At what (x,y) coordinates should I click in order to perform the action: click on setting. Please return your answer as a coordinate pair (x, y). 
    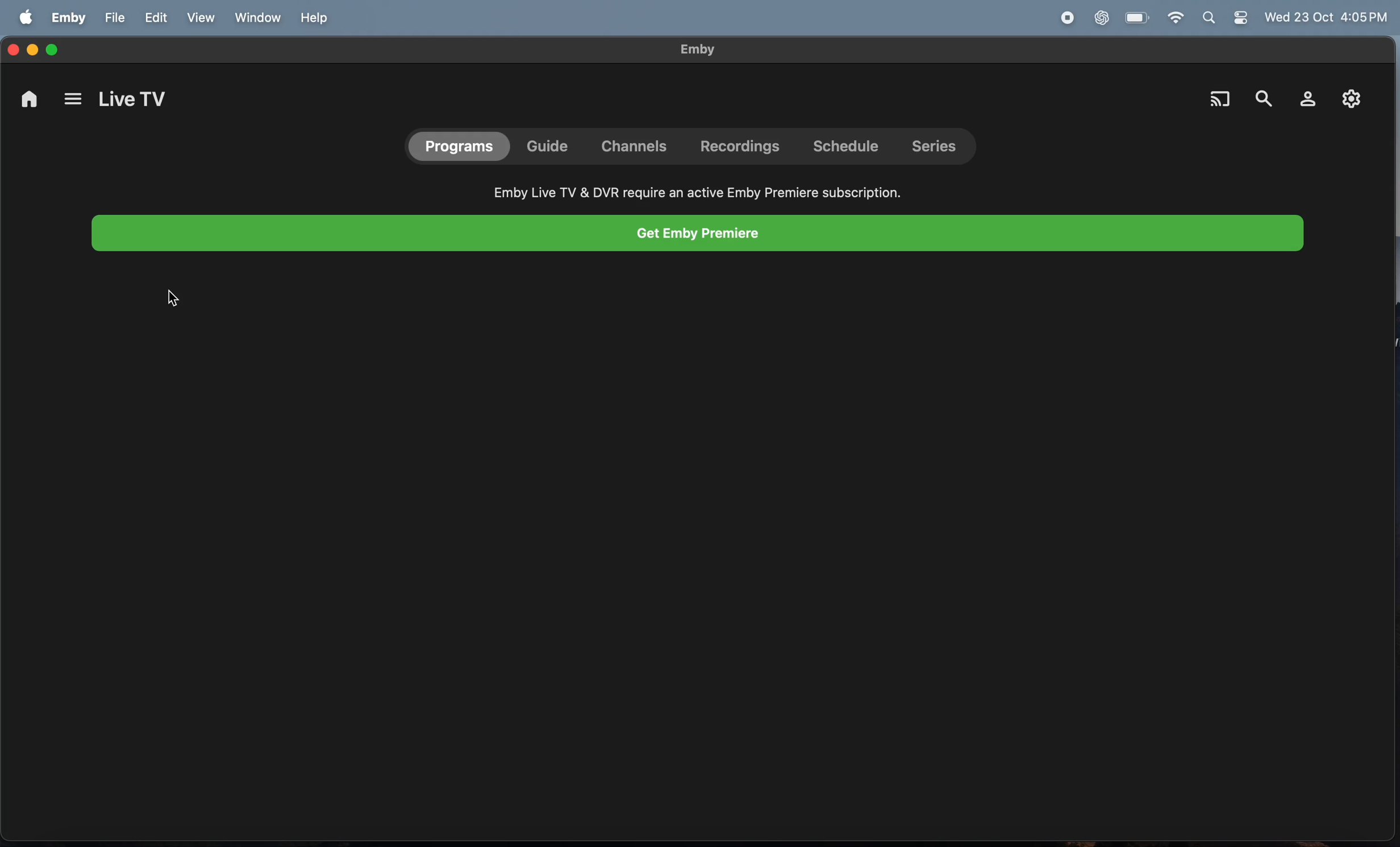
    Looking at the image, I should click on (1349, 99).